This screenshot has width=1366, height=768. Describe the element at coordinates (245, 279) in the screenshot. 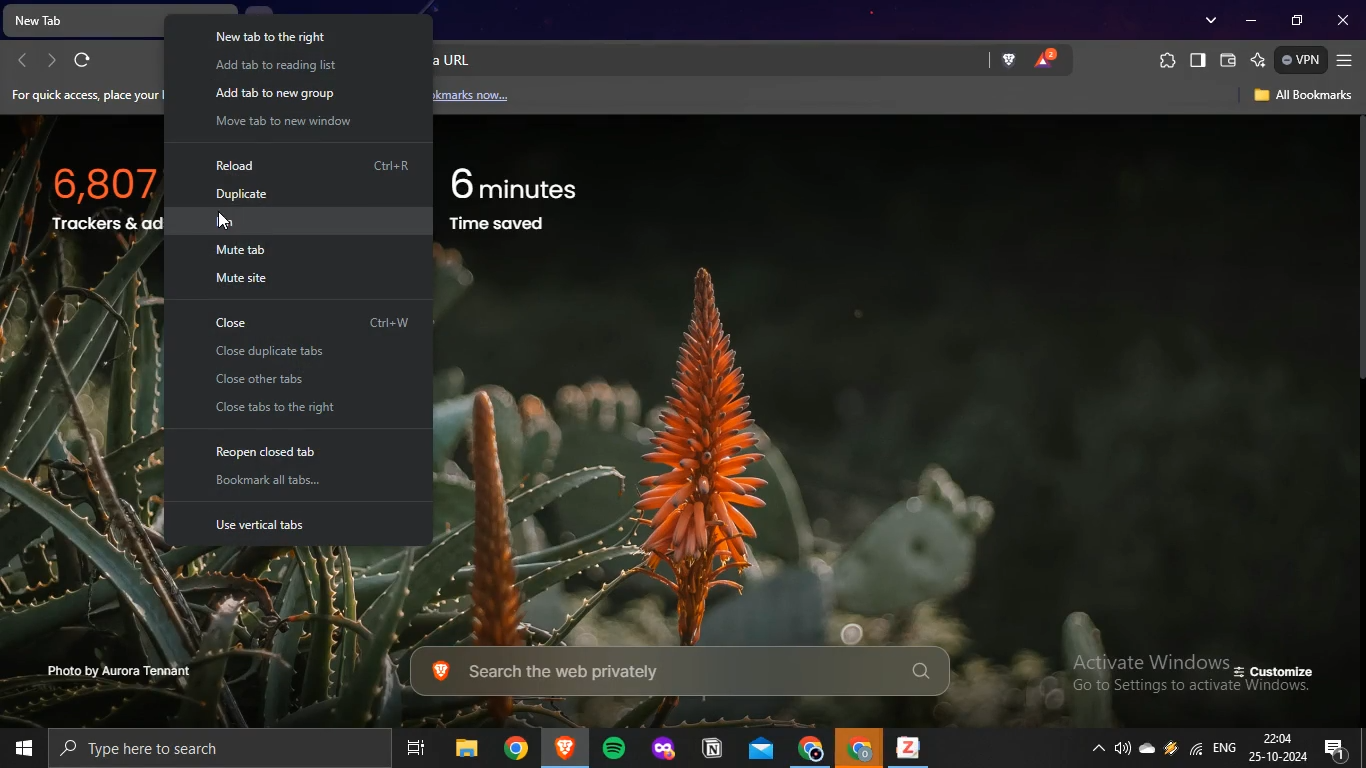

I see `mute site` at that location.